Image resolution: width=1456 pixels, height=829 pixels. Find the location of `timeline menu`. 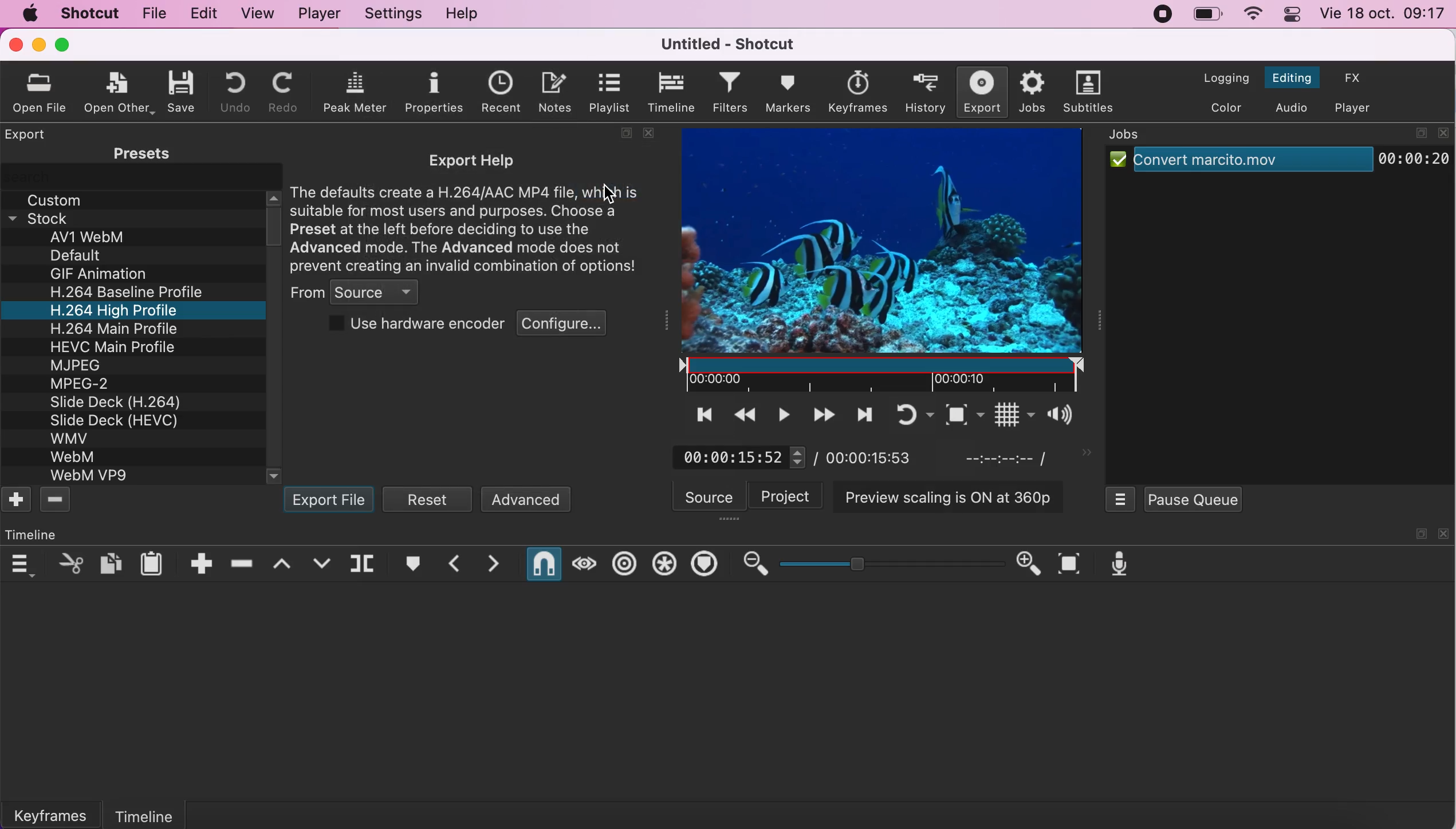

timeline menu is located at coordinates (20, 564).